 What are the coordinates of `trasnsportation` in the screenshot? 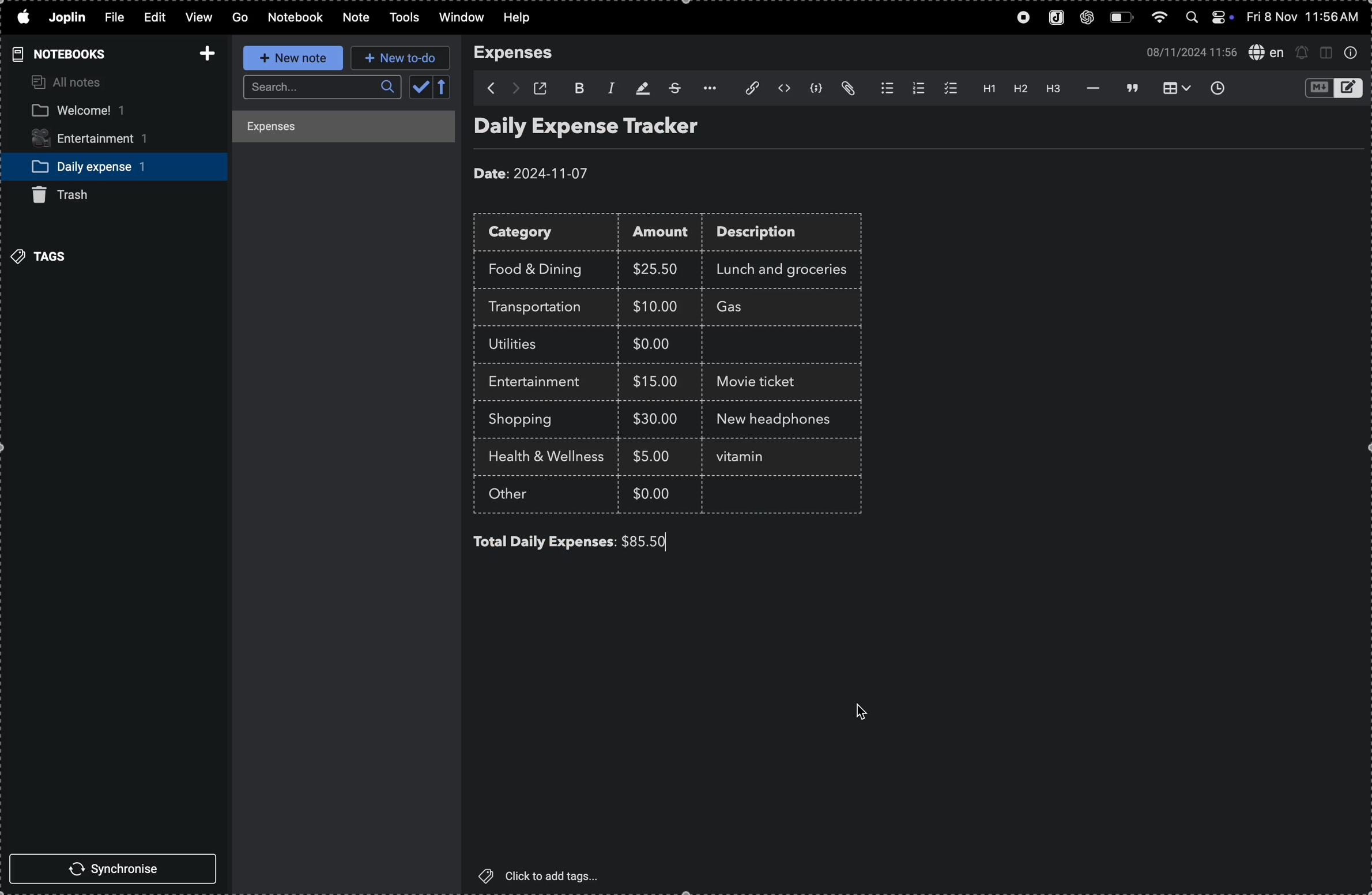 It's located at (541, 307).